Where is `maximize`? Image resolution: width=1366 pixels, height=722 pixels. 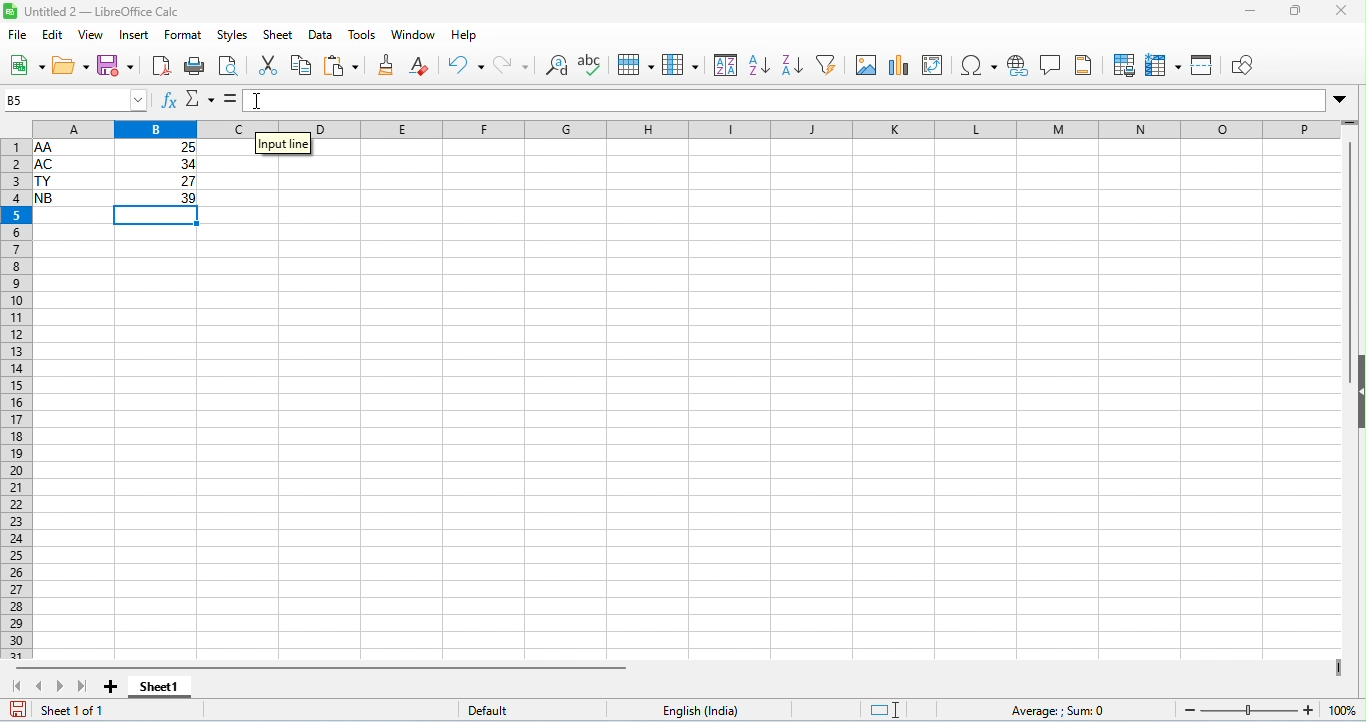
maximize is located at coordinates (1296, 12).